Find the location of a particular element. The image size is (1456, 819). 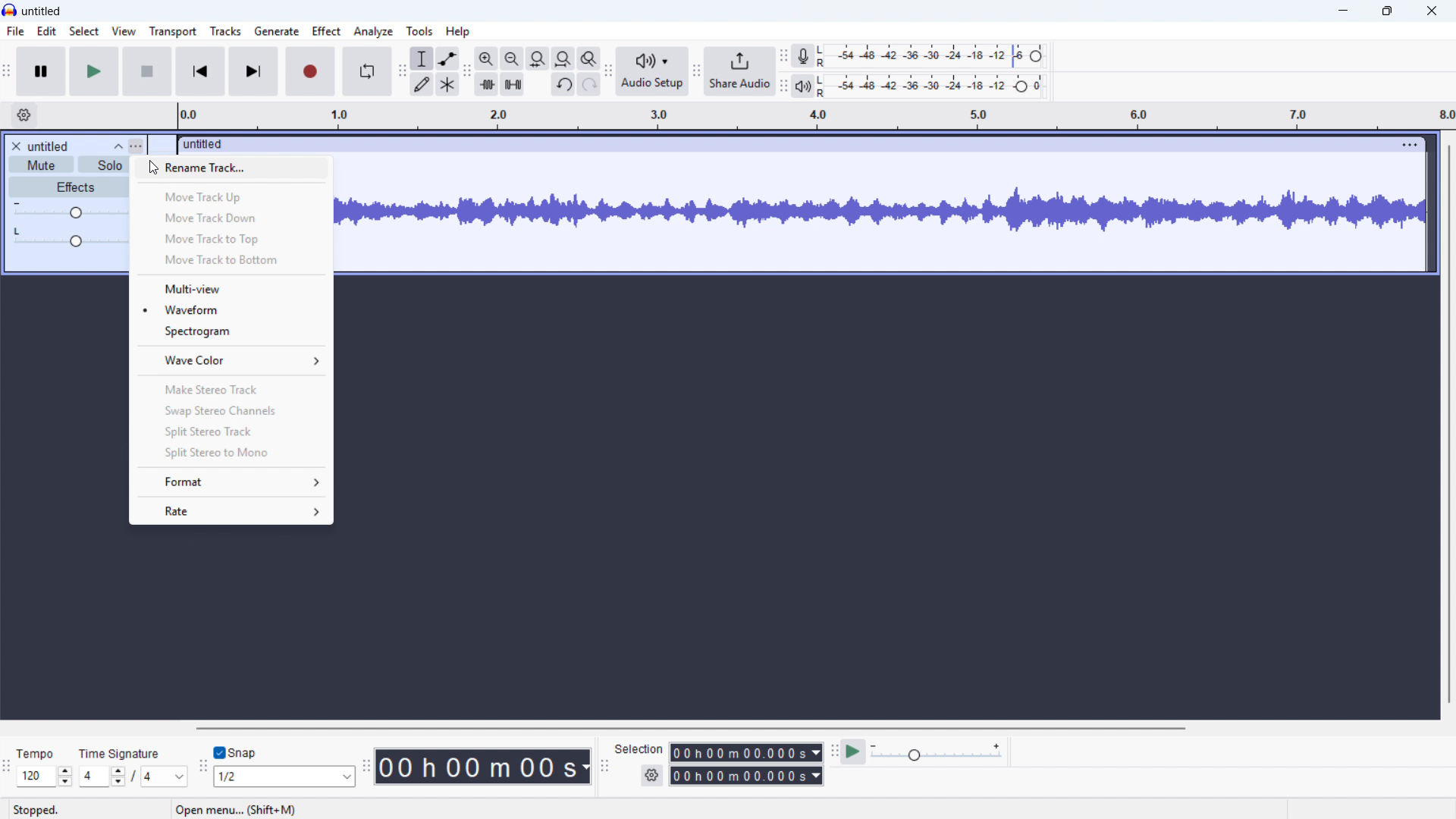

Swap stereo channels  is located at coordinates (232, 410).